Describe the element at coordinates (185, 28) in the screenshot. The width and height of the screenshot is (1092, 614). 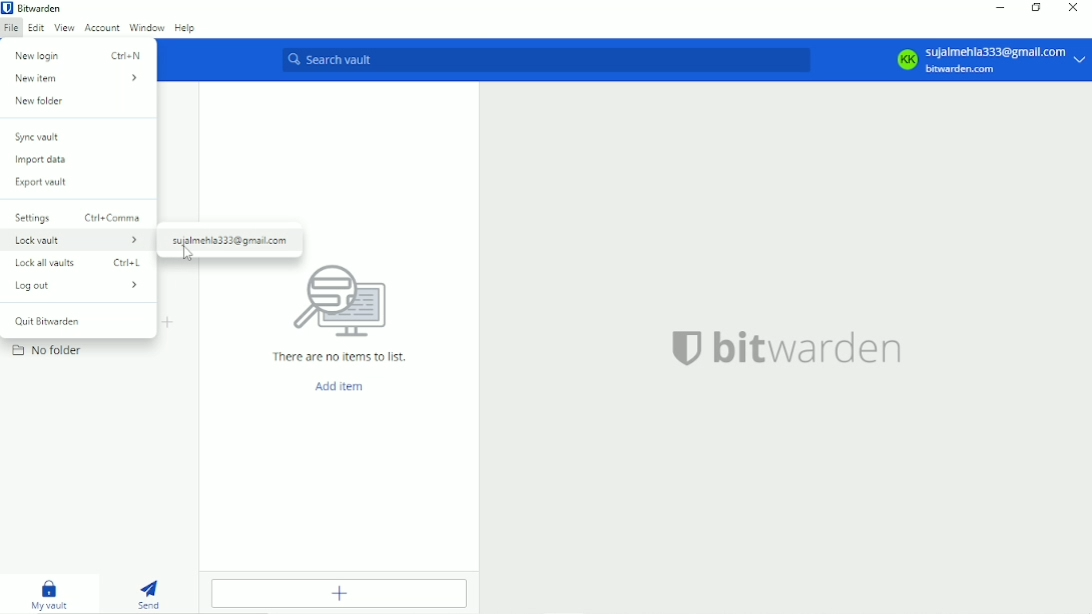
I see `Help` at that location.